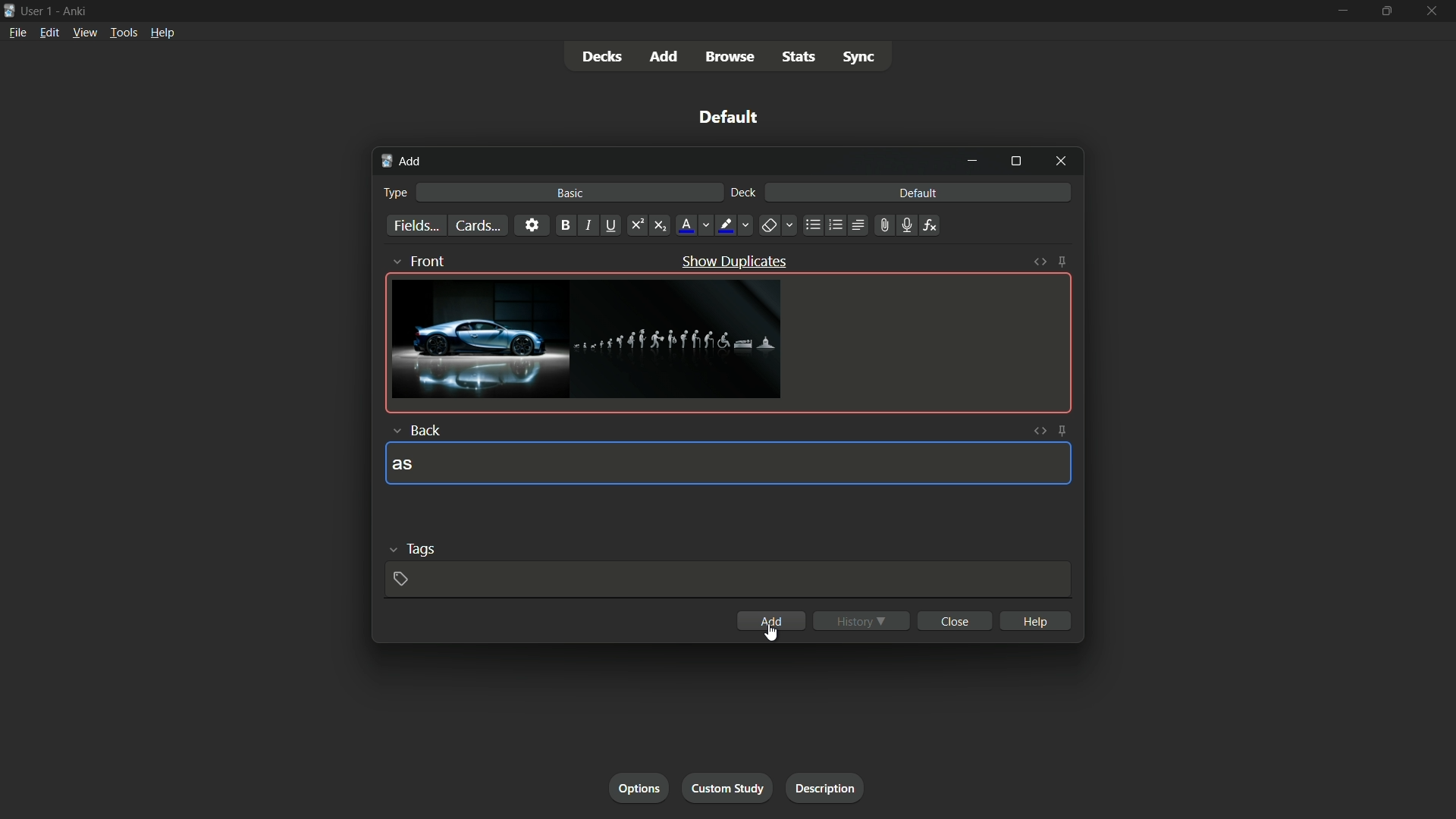 This screenshot has width=1456, height=819. What do you see at coordinates (770, 620) in the screenshot?
I see `add` at bounding box center [770, 620].